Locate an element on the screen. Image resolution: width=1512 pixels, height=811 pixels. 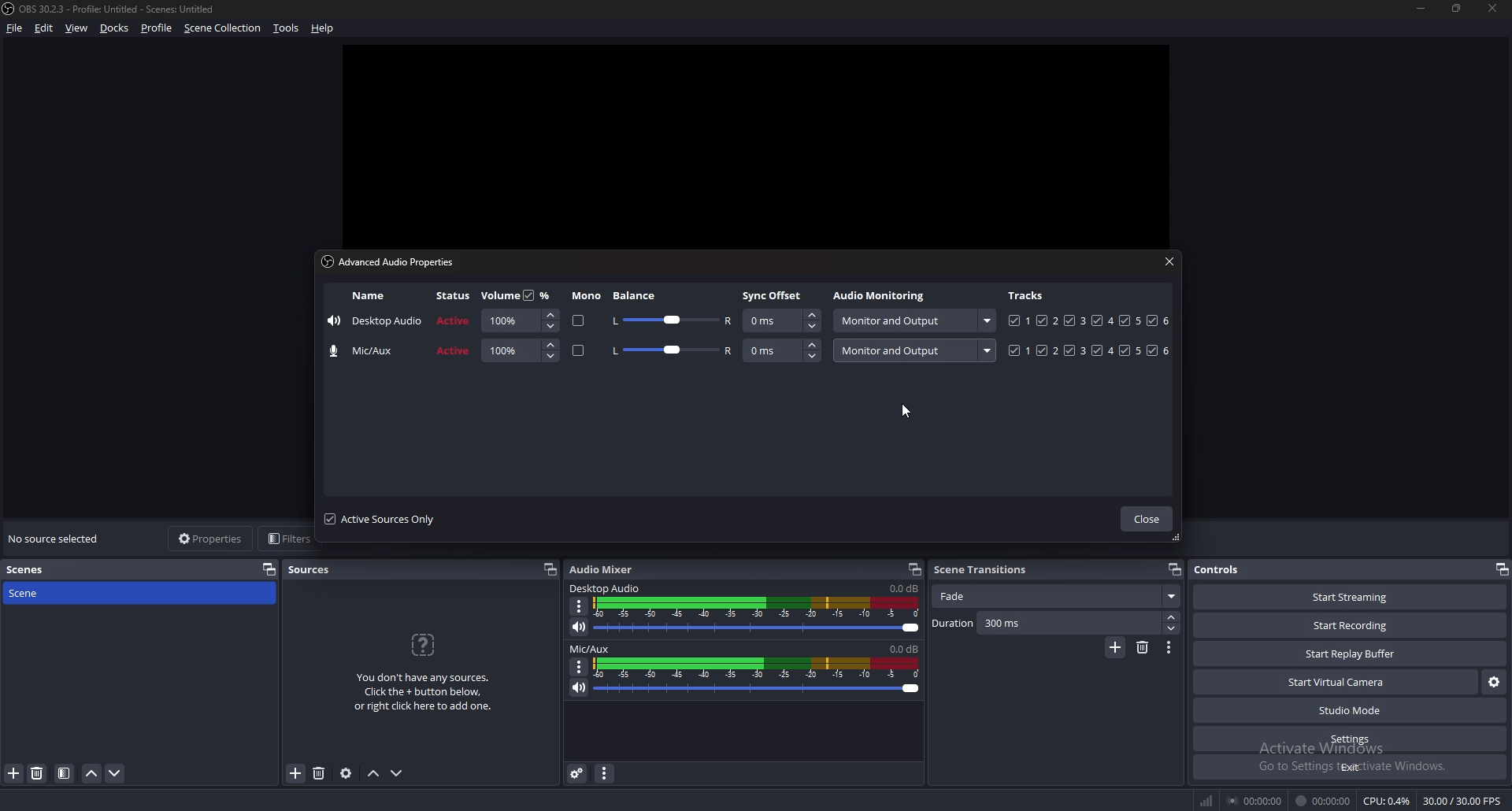
start streaming is located at coordinates (1349, 597).